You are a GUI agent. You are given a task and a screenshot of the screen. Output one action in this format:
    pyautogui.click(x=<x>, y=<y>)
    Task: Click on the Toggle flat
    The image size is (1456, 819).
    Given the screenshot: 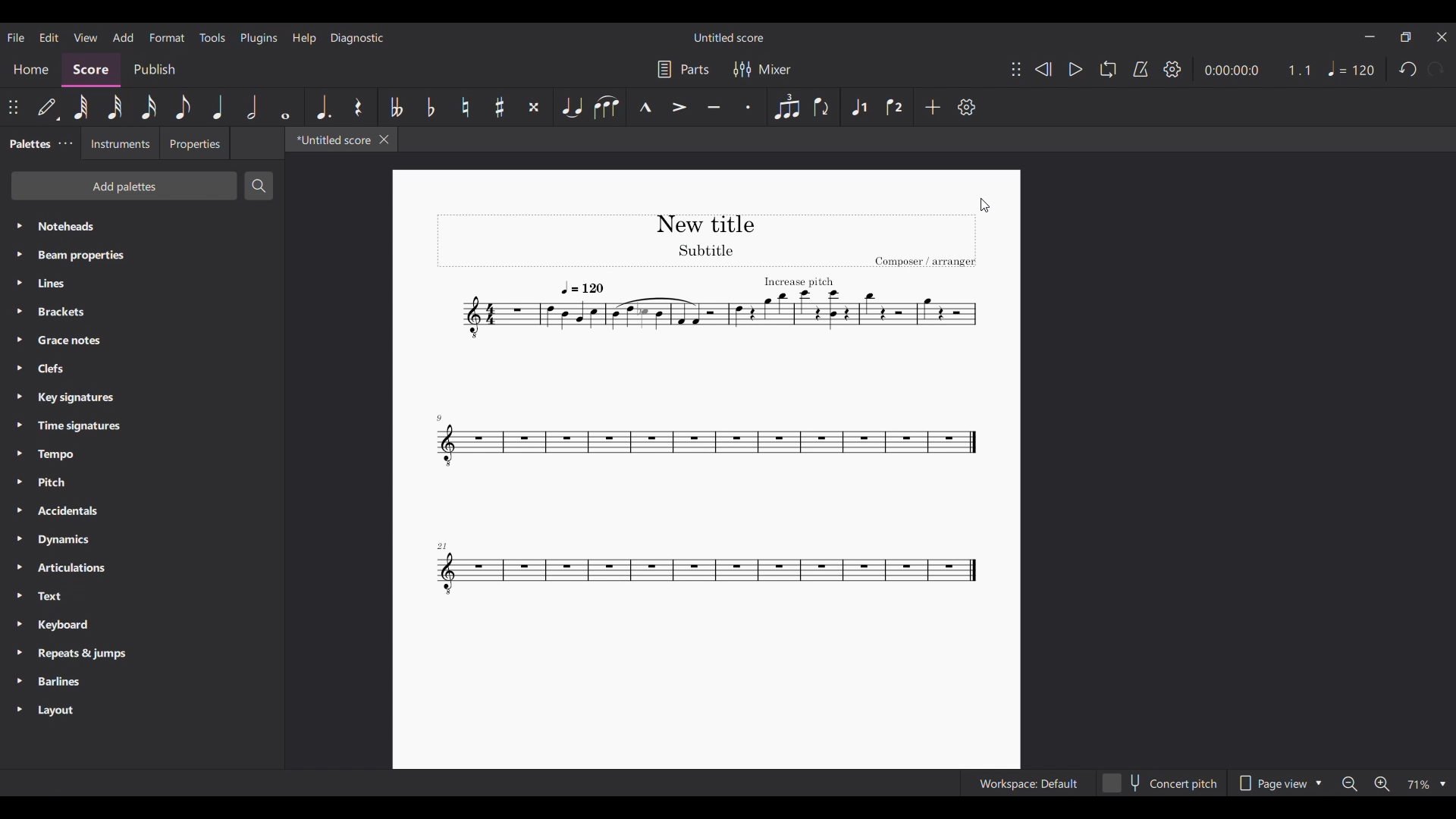 What is the action you would take?
    pyautogui.click(x=430, y=106)
    